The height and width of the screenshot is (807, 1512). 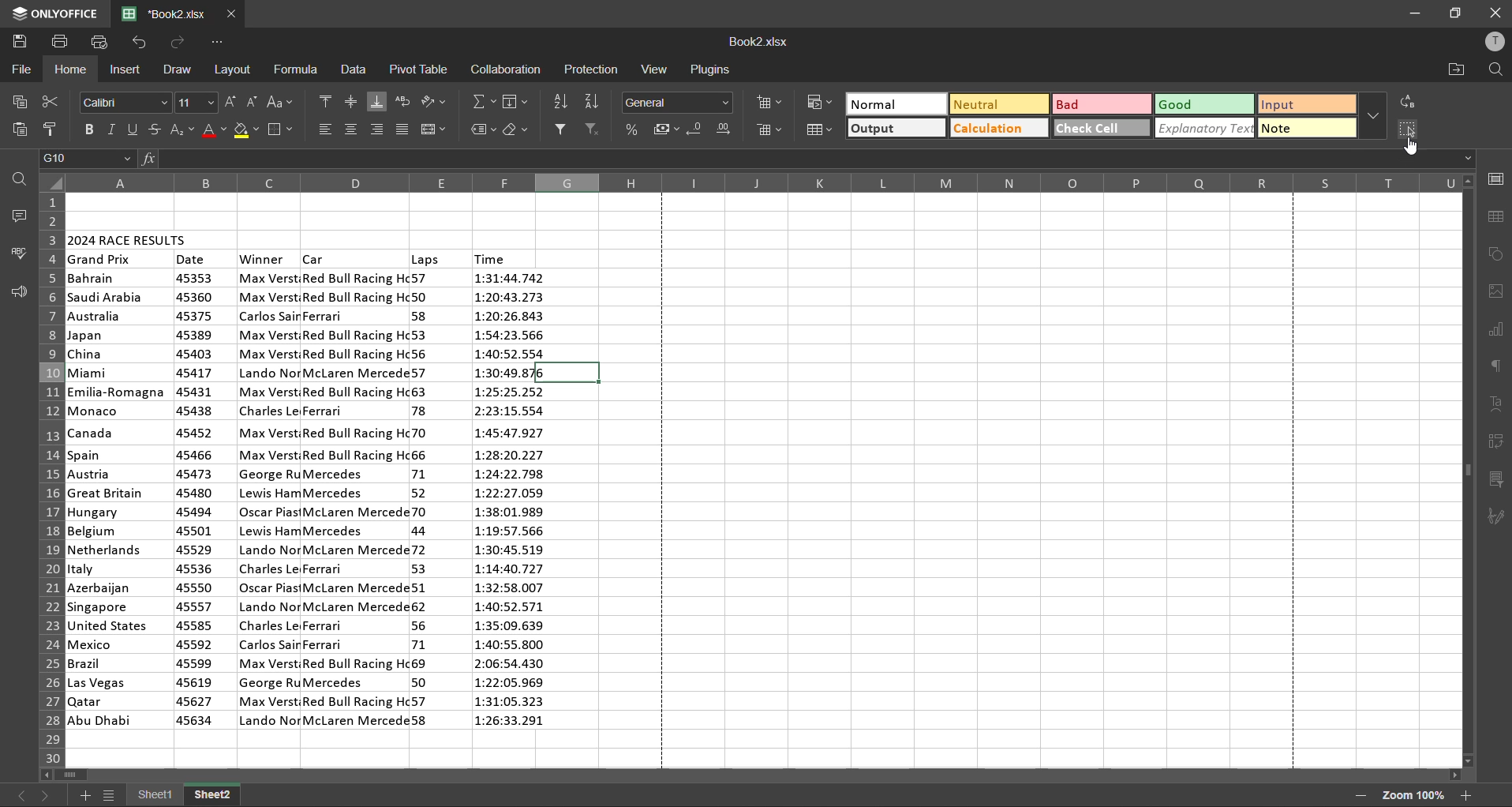 What do you see at coordinates (1465, 794) in the screenshot?
I see `zoom in` at bounding box center [1465, 794].